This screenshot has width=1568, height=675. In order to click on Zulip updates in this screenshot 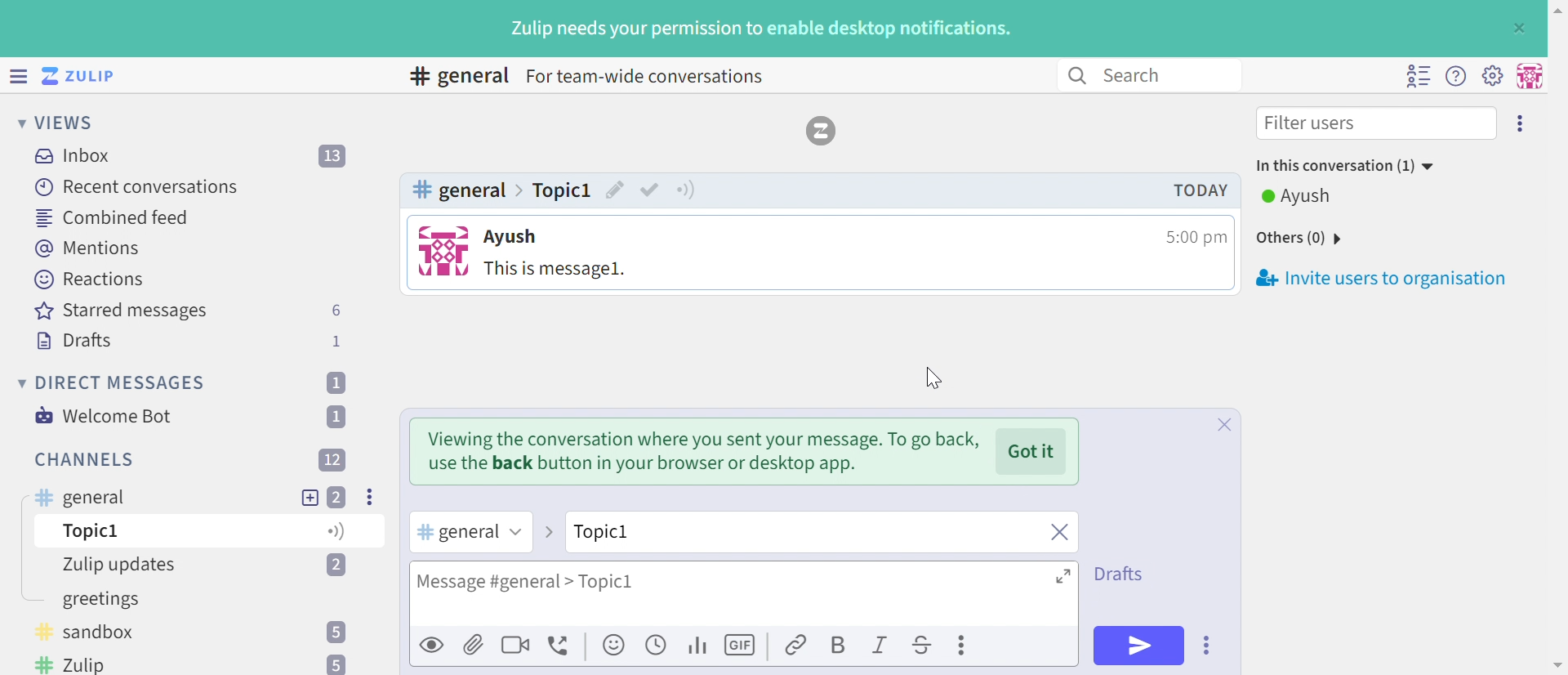, I will do `click(131, 565)`.